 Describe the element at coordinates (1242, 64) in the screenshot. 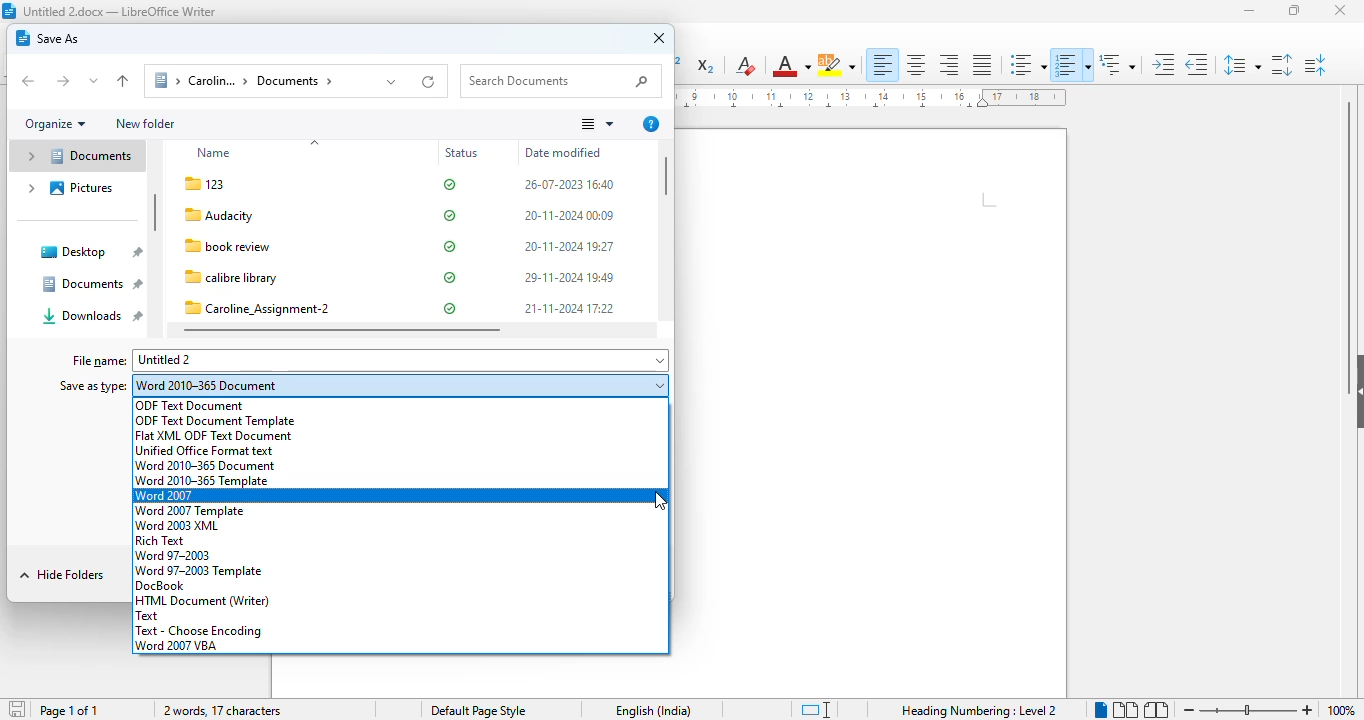

I see `set line spacing` at that location.